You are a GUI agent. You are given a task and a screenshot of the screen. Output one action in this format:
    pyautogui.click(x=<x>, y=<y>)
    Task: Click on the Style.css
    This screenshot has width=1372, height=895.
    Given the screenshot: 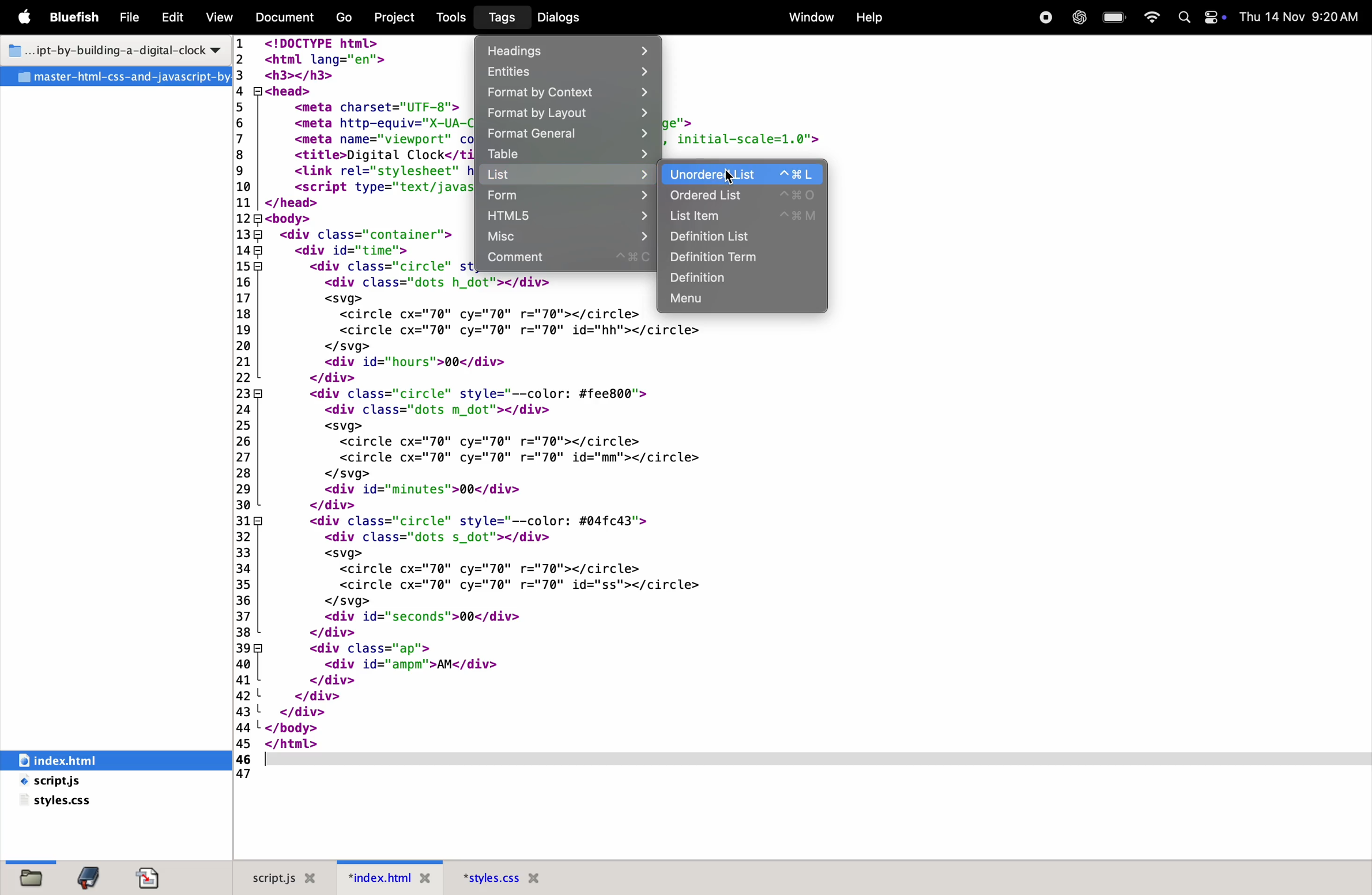 What is the action you would take?
    pyautogui.click(x=523, y=877)
    